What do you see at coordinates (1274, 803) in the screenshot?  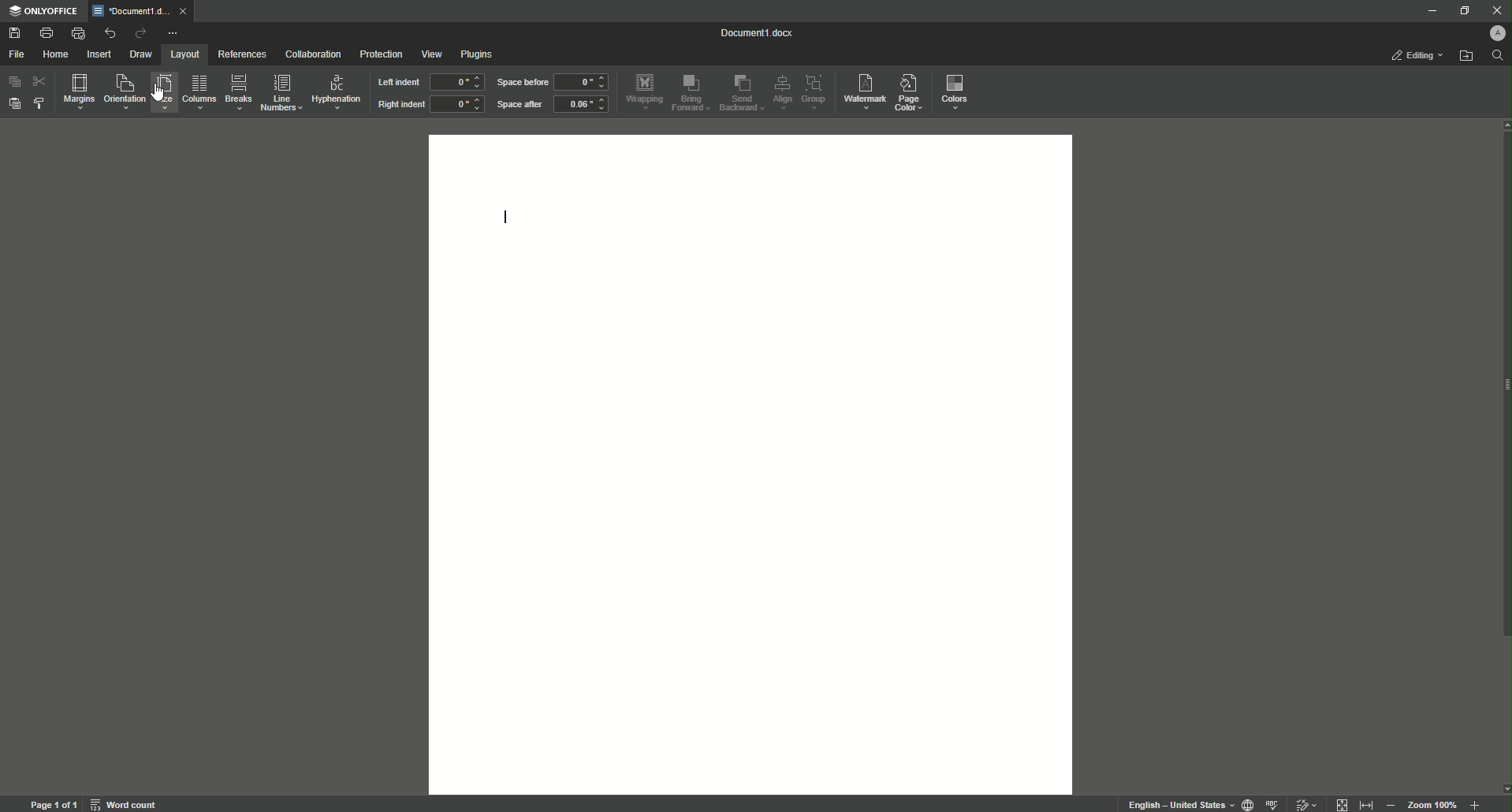 I see `Spell Checking` at bounding box center [1274, 803].